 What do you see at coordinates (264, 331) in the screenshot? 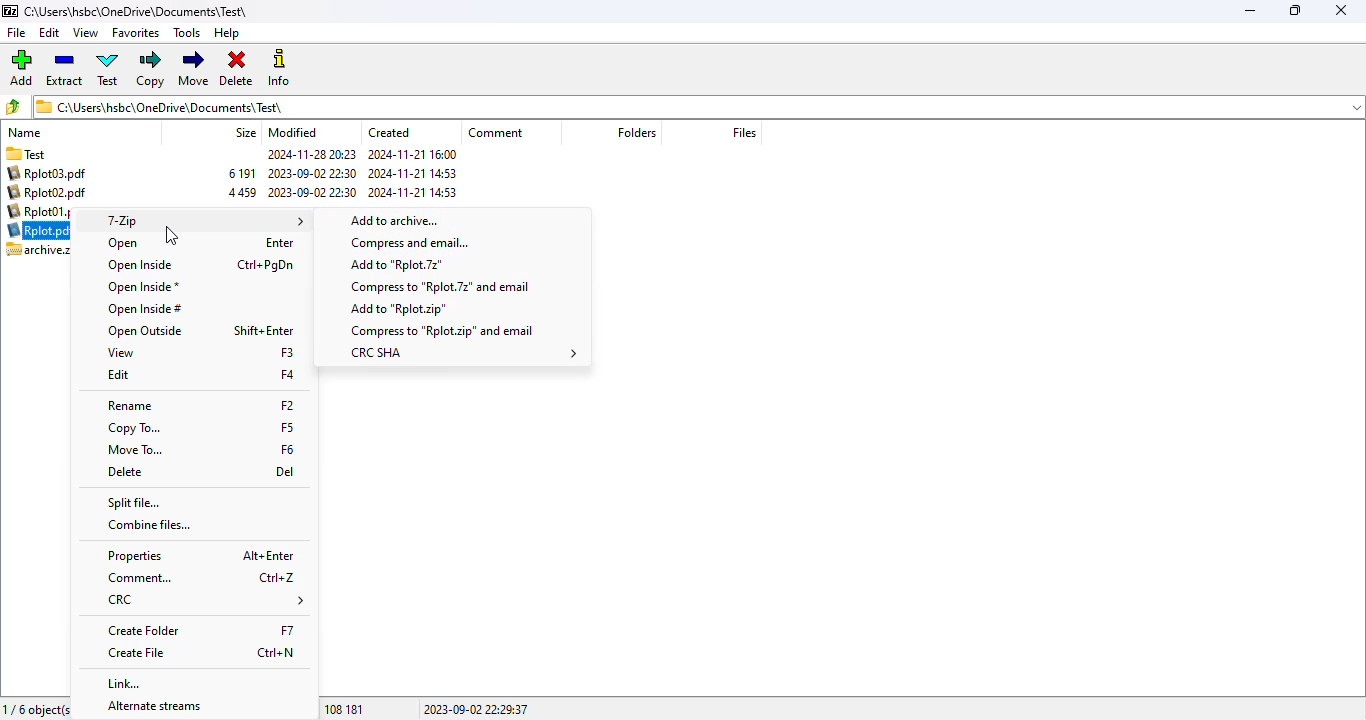
I see `shortcut for open outside` at bounding box center [264, 331].